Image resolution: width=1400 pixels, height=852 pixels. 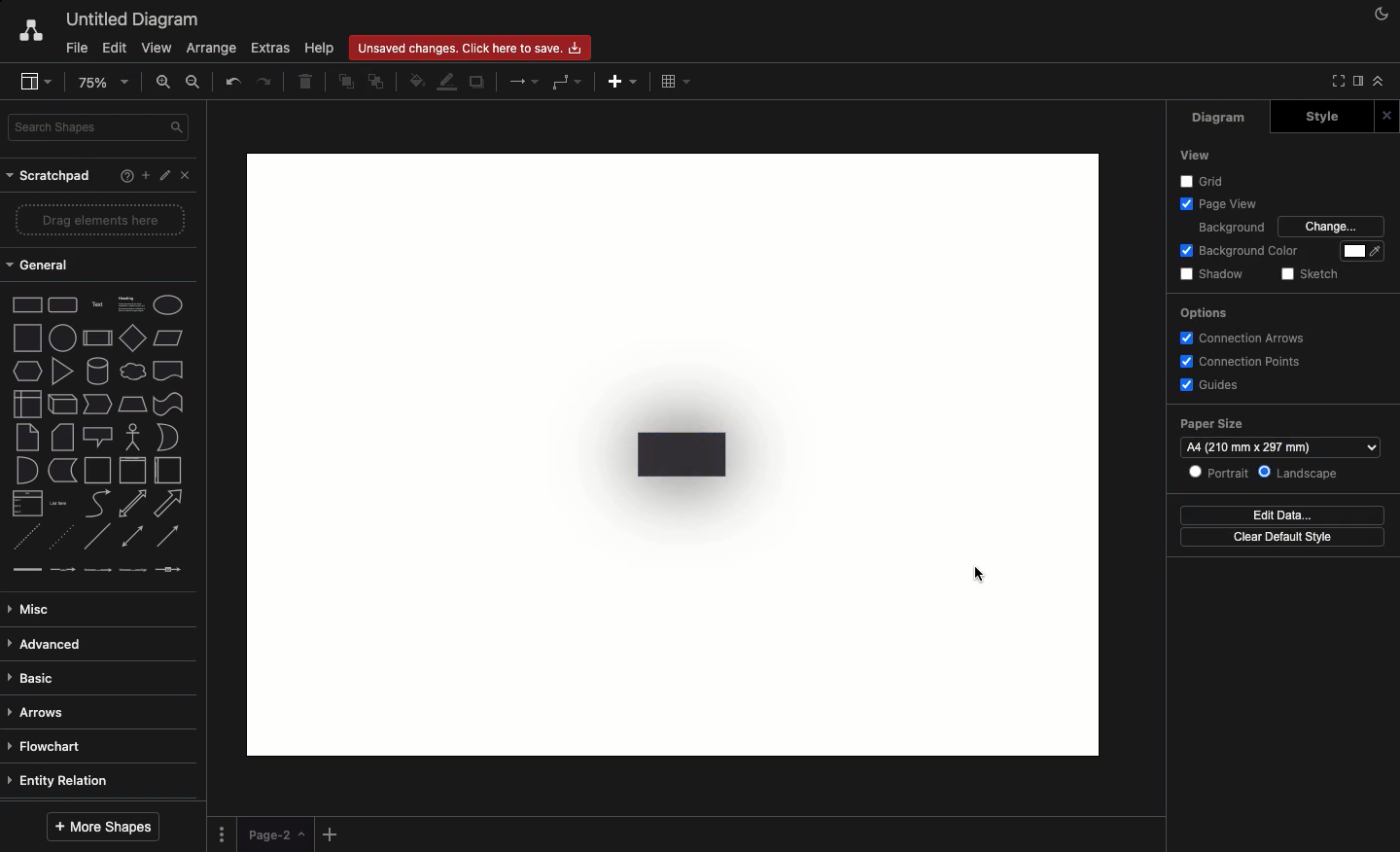 I want to click on trapezoid, so click(x=129, y=406).